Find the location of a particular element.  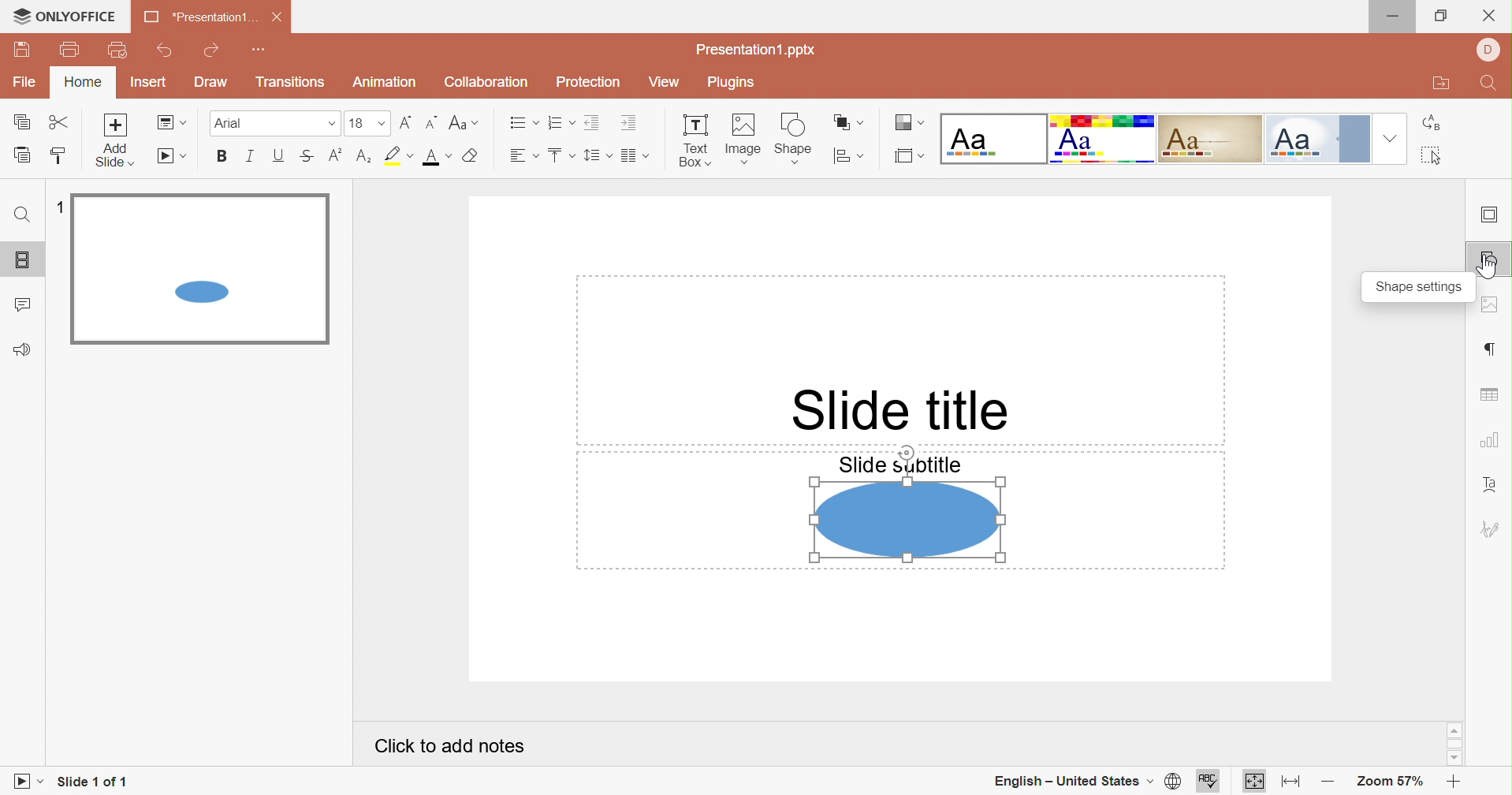

Blank is located at coordinates (992, 138).